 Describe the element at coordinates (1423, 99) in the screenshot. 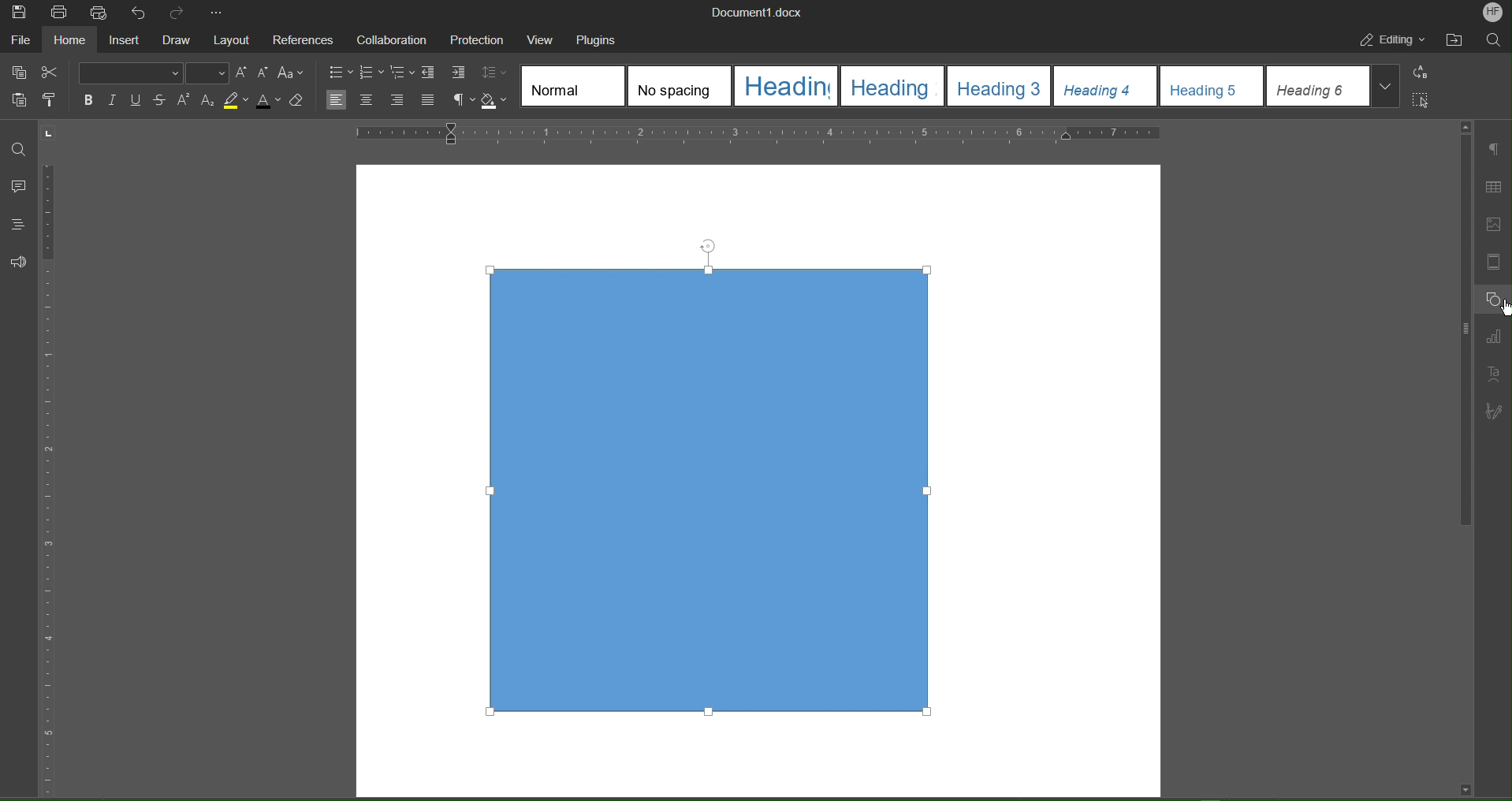

I see `Select All` at that location.